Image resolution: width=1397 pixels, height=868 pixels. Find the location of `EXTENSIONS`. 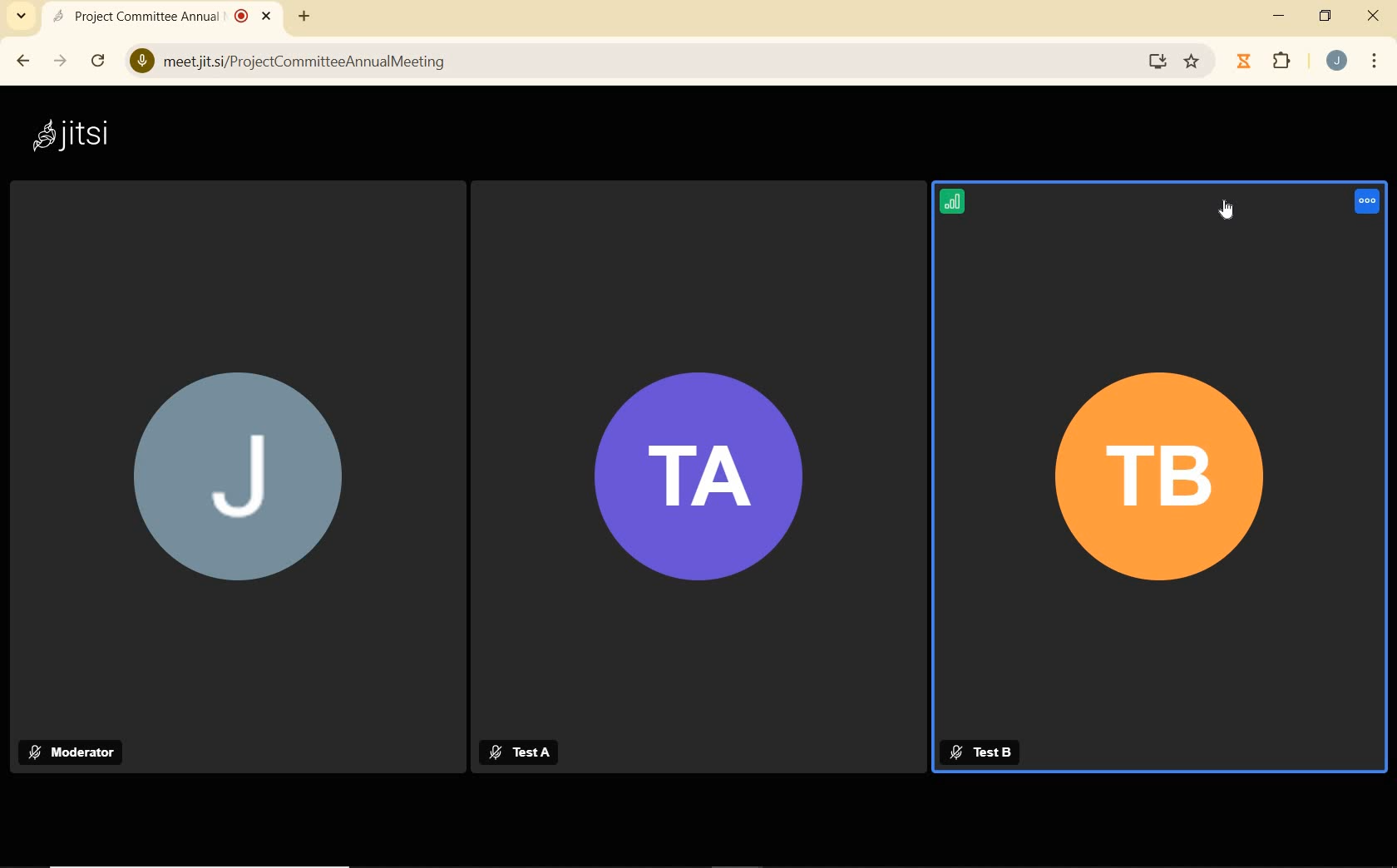

EXTENSIONS is located at coordinates (1284, 62).